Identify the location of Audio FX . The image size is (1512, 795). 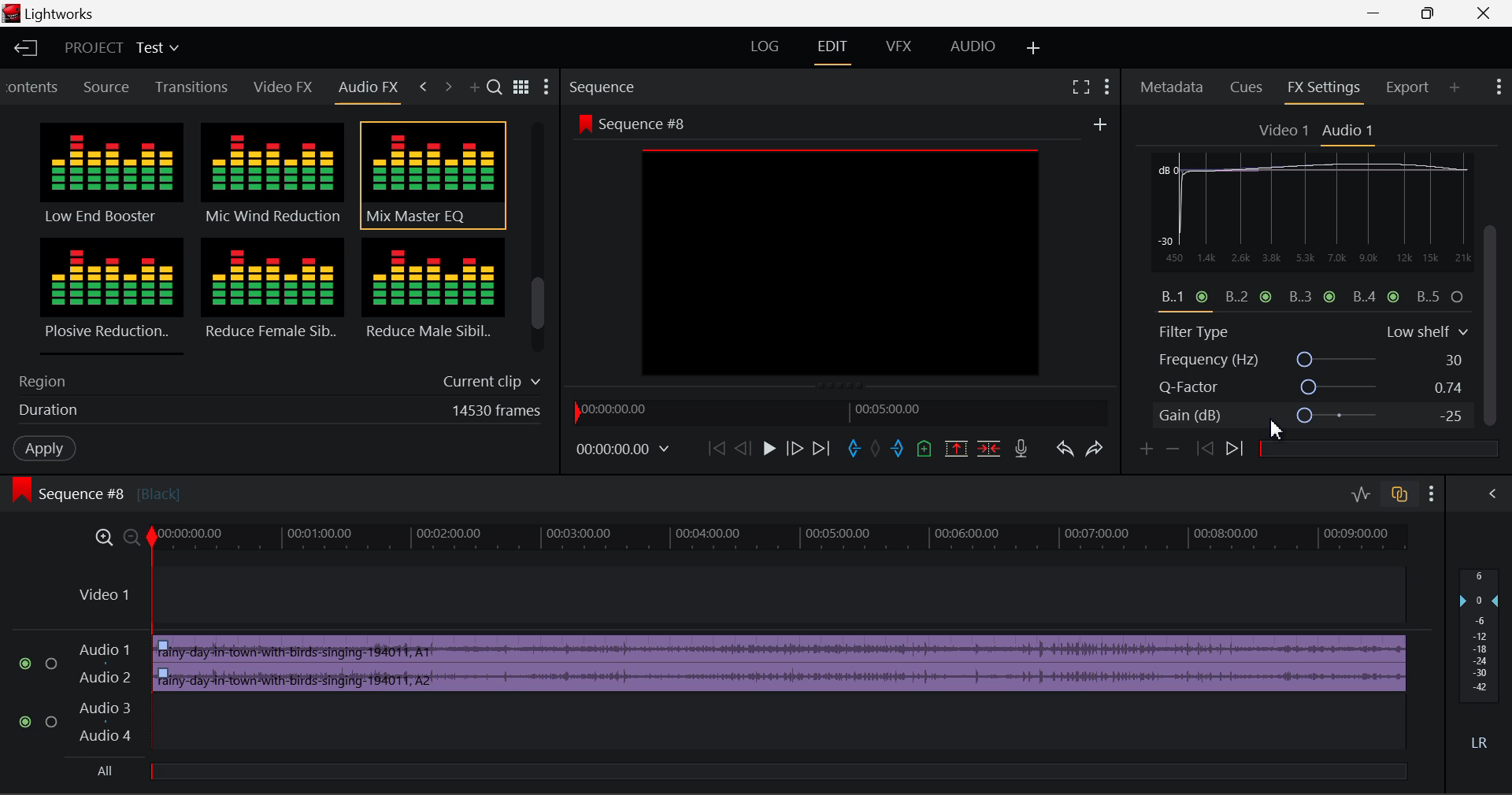
(369, 87).